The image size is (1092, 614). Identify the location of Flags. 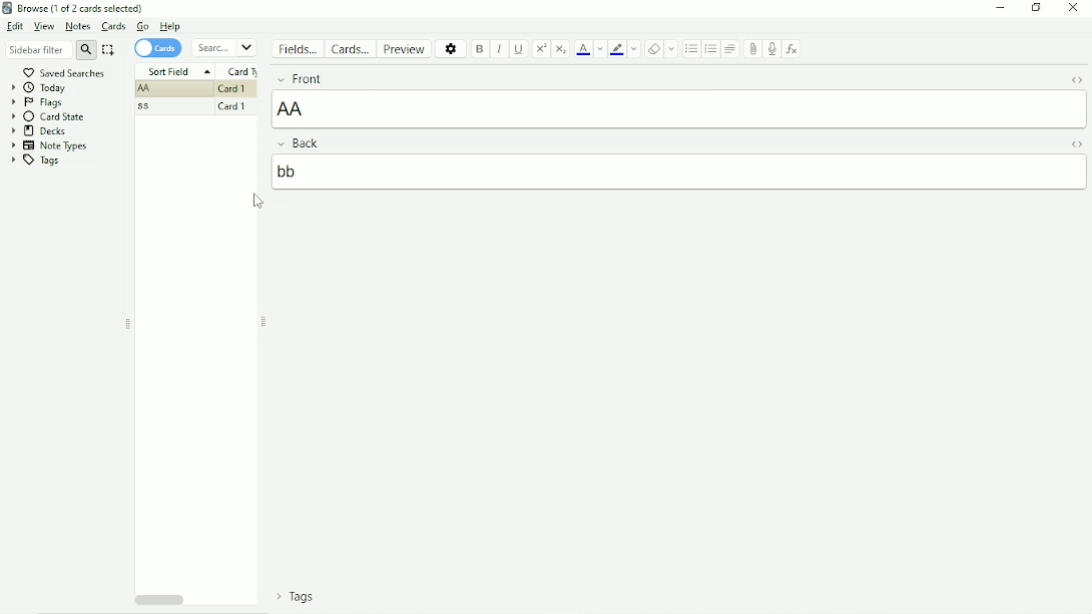
(37, 103).